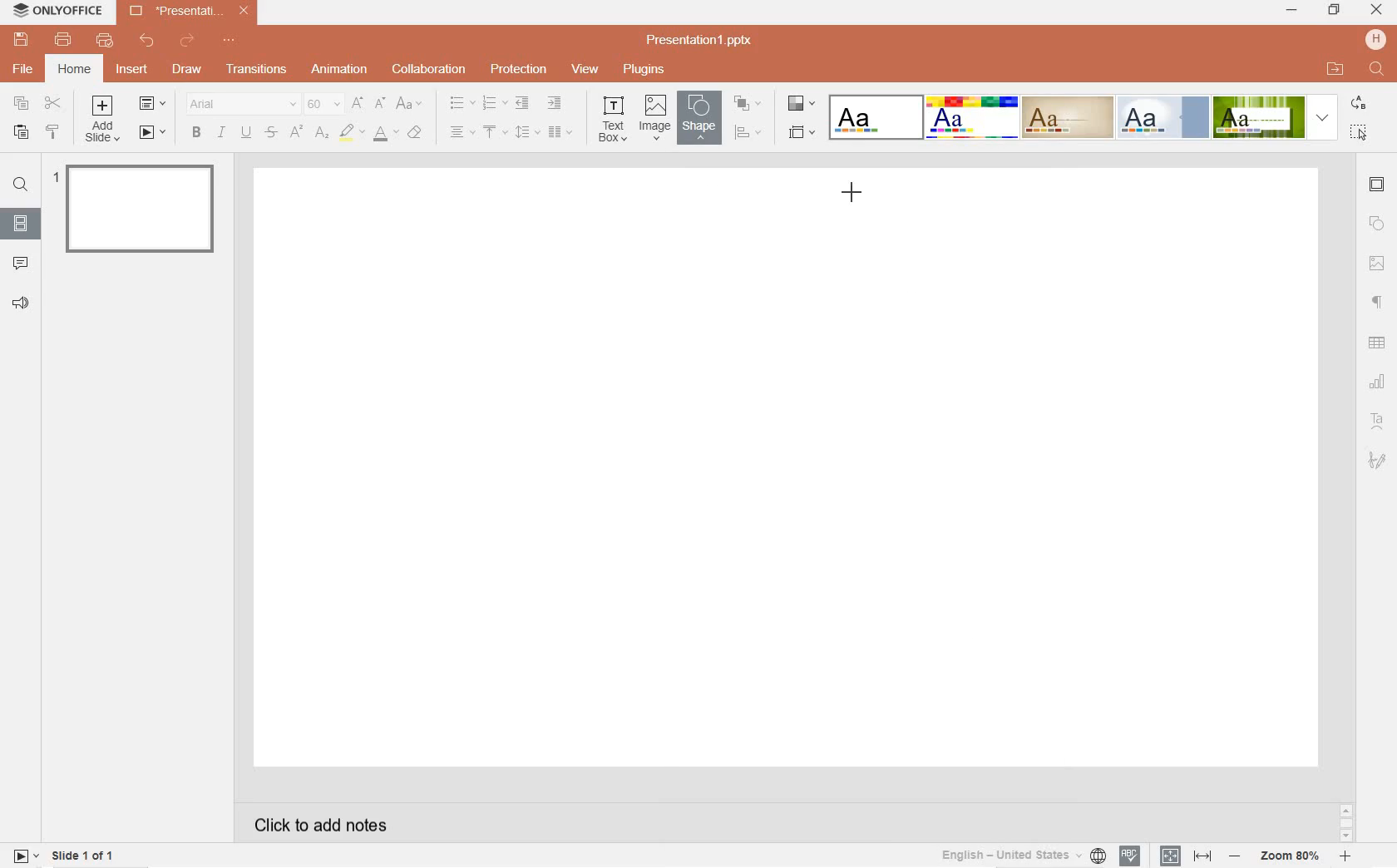  I want to click on HP, so click(1375, 39).